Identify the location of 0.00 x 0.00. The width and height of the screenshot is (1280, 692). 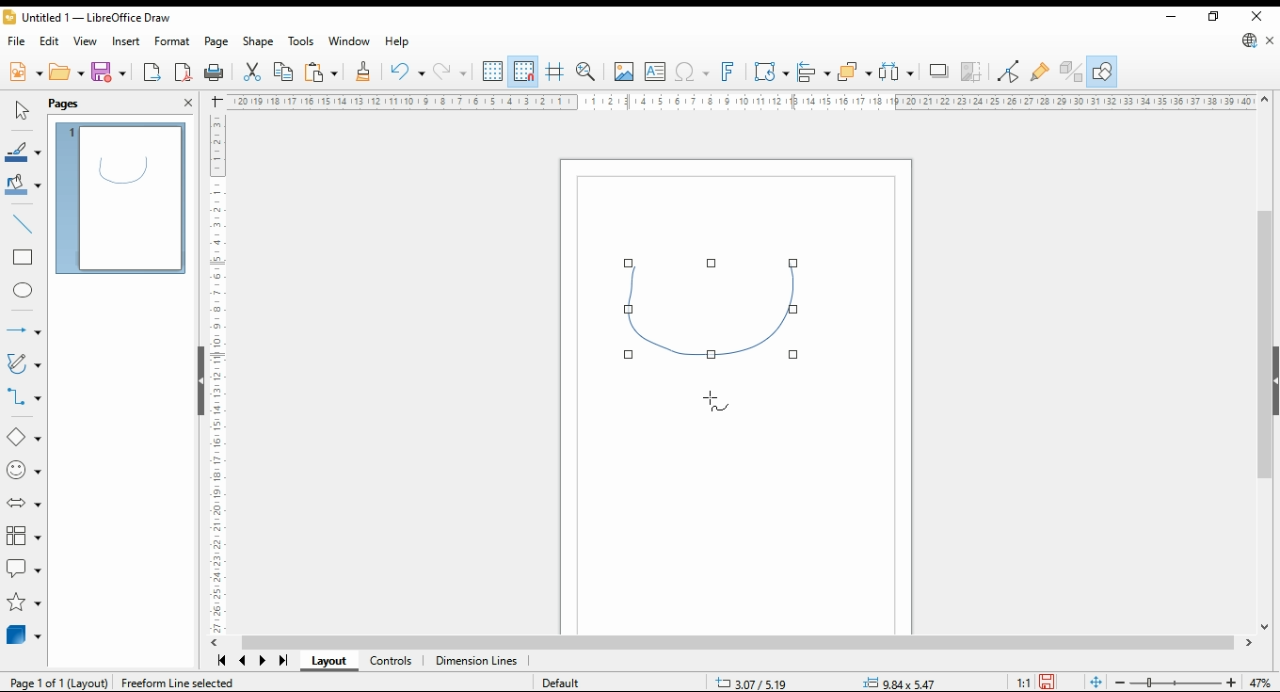
(900, 680).